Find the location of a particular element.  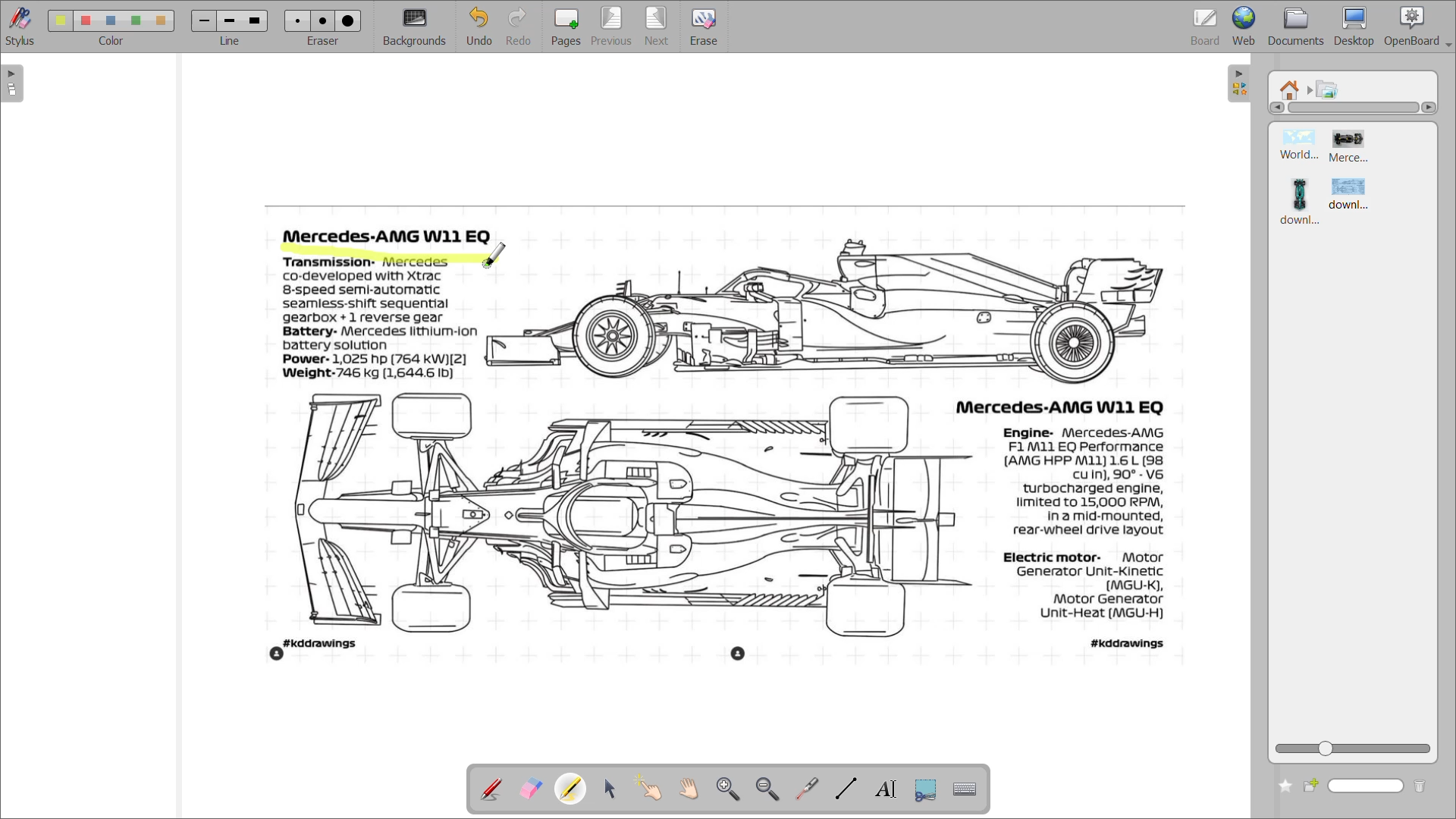

web is located at coordinates (1247, 26).